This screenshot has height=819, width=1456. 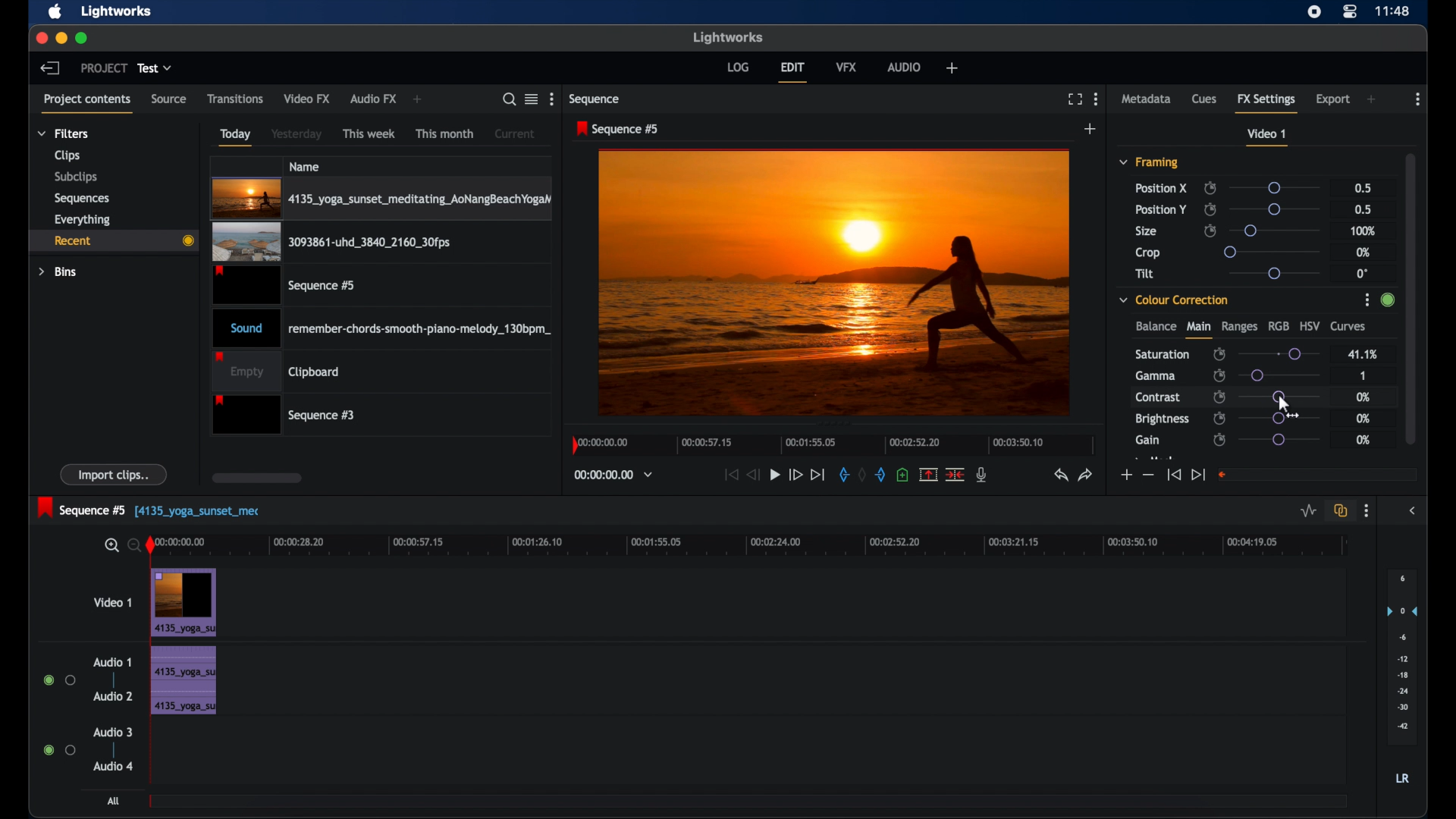 I want to click on scroll box, so click(x=256, y=478).